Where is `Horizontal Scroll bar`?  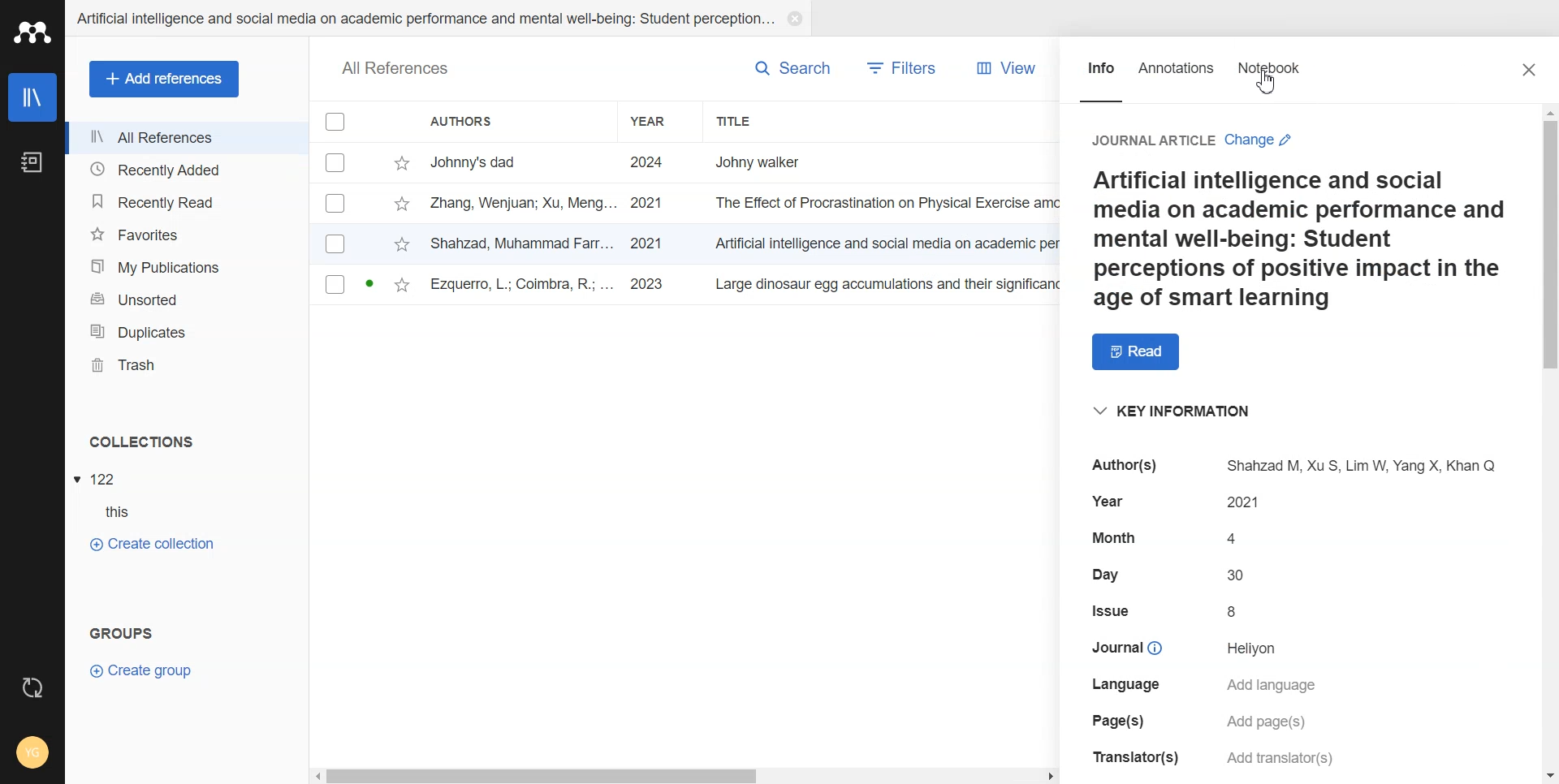 Horizontal Scroll bar is located at coordinates (686, 774).